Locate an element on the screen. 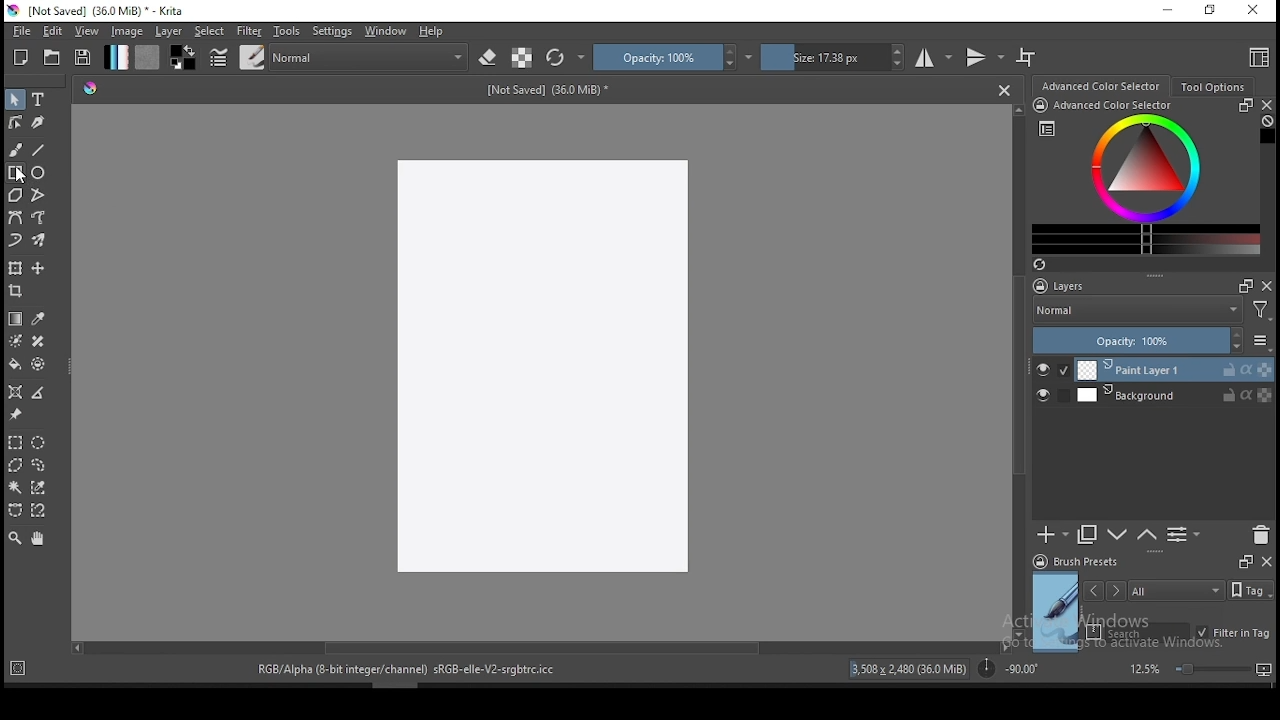 This screenshot has height=720, width=1280. crop tool is located at coordinates (18, 293).